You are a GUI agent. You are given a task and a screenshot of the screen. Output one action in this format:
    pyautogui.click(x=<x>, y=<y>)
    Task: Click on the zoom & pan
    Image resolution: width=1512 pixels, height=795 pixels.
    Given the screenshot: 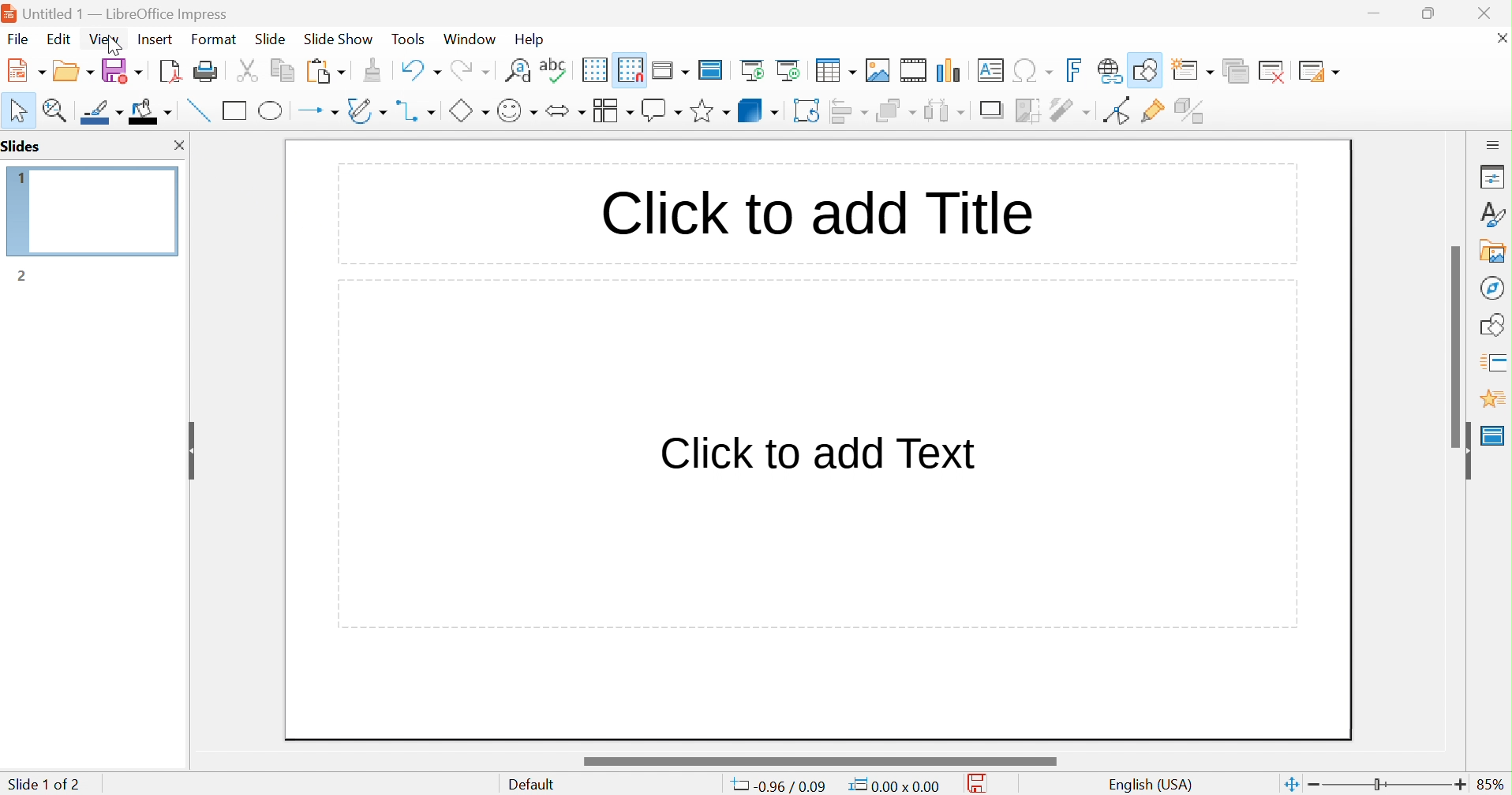 What is the action you would take?
    pyautogui.click(x=58, y=110)
    